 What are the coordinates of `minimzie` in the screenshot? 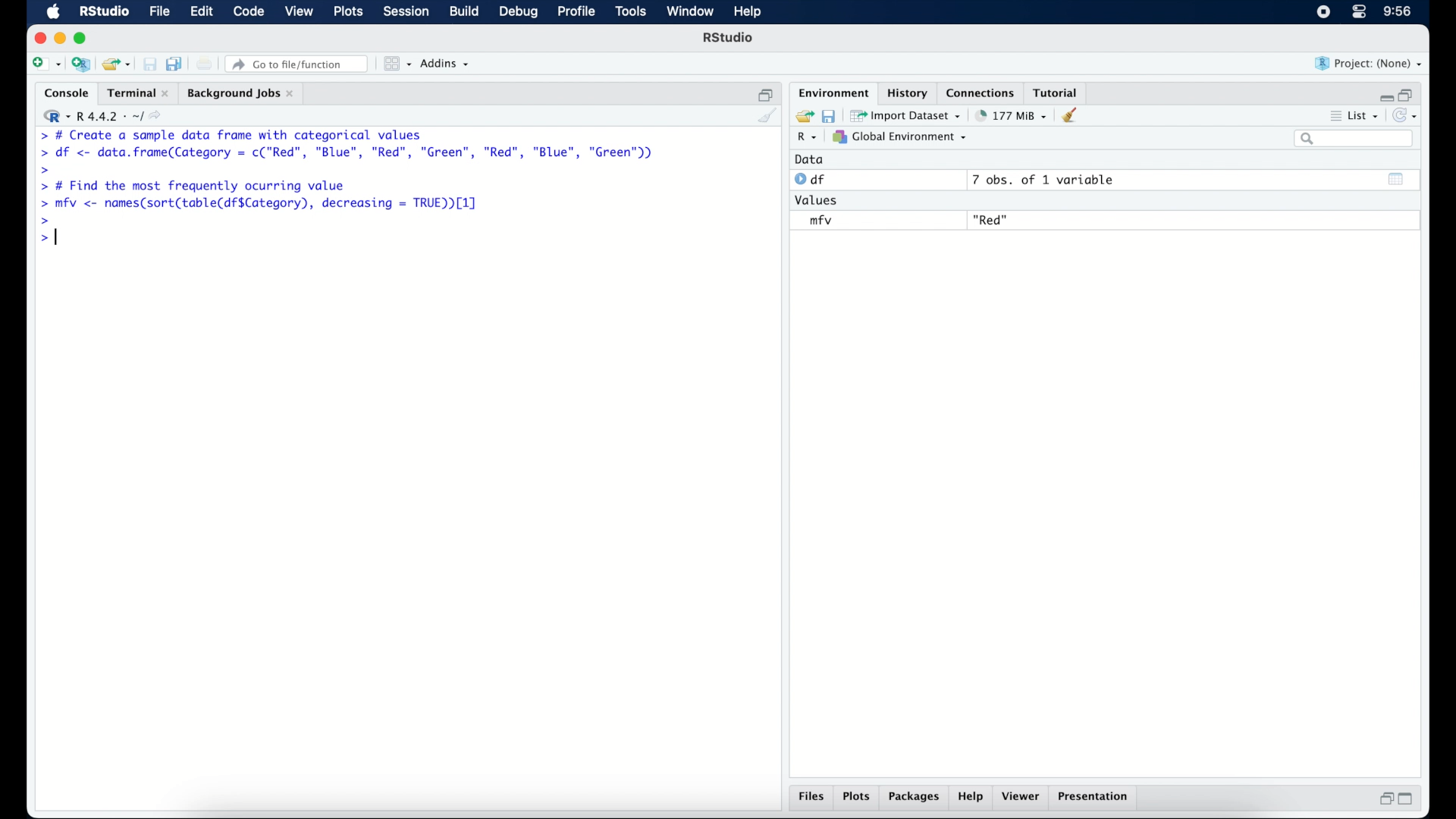 It's located at (59, 38).